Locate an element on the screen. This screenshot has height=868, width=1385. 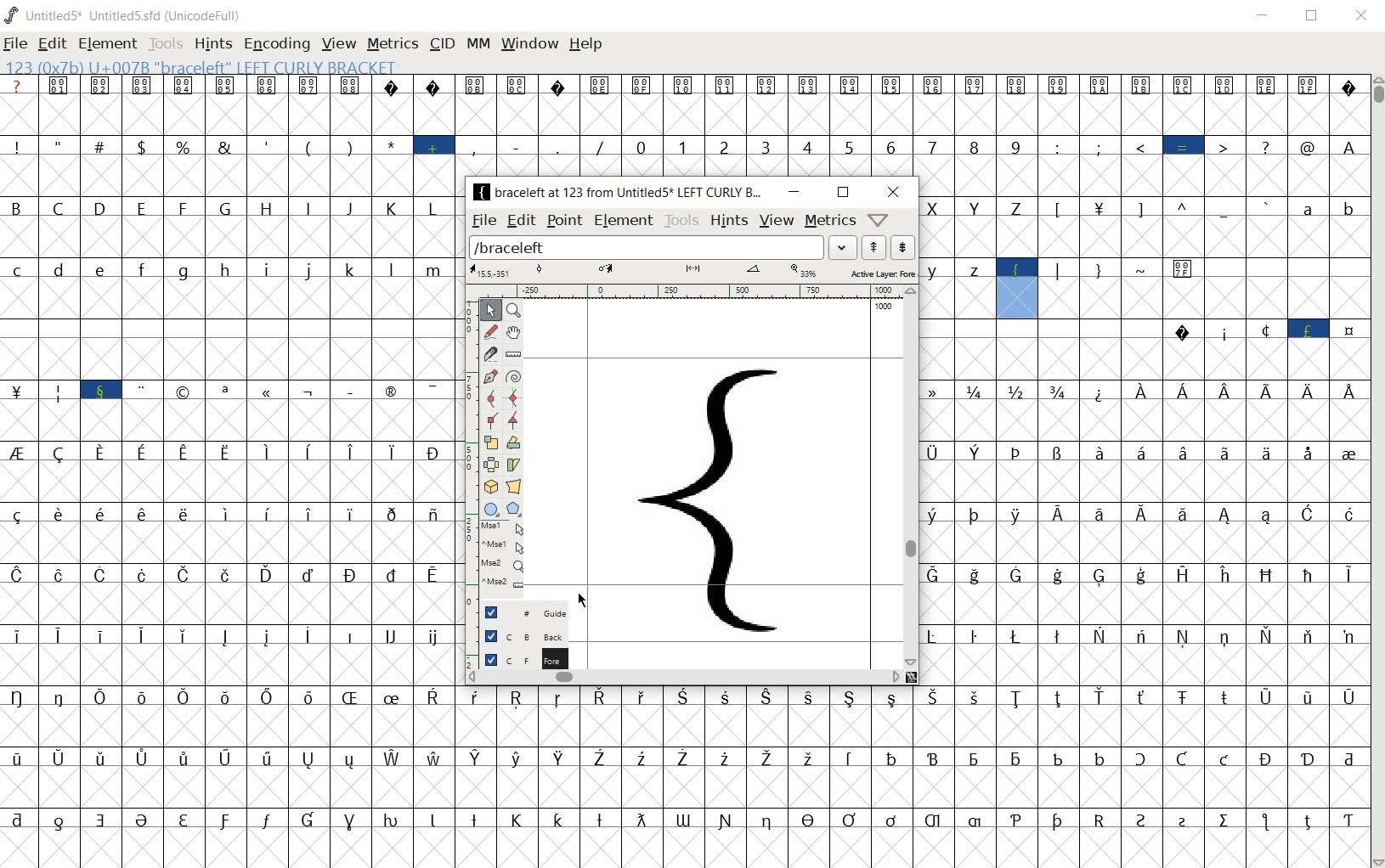
tools is located at coordinates (166, 45).